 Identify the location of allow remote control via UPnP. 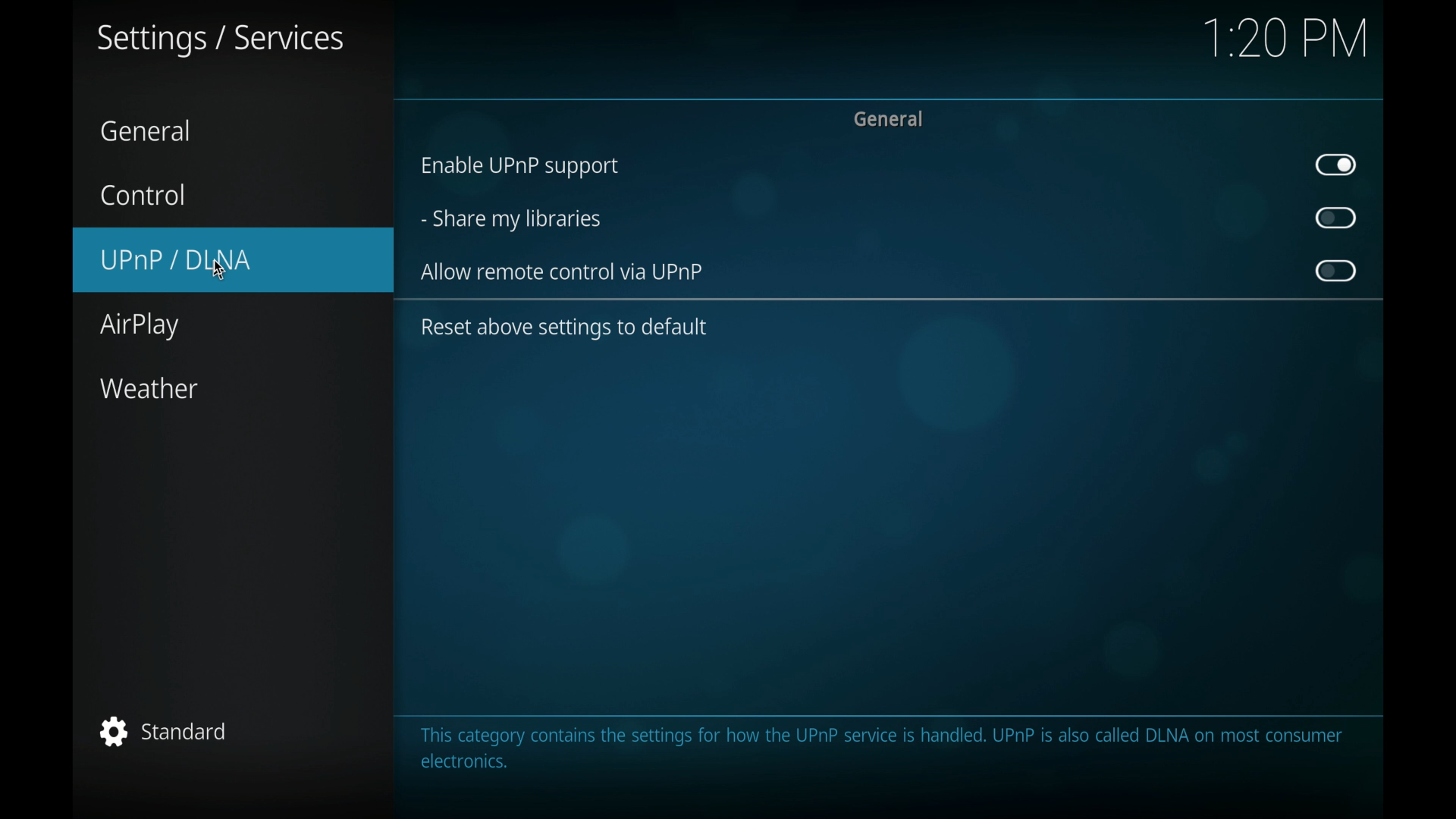
(563, 272).